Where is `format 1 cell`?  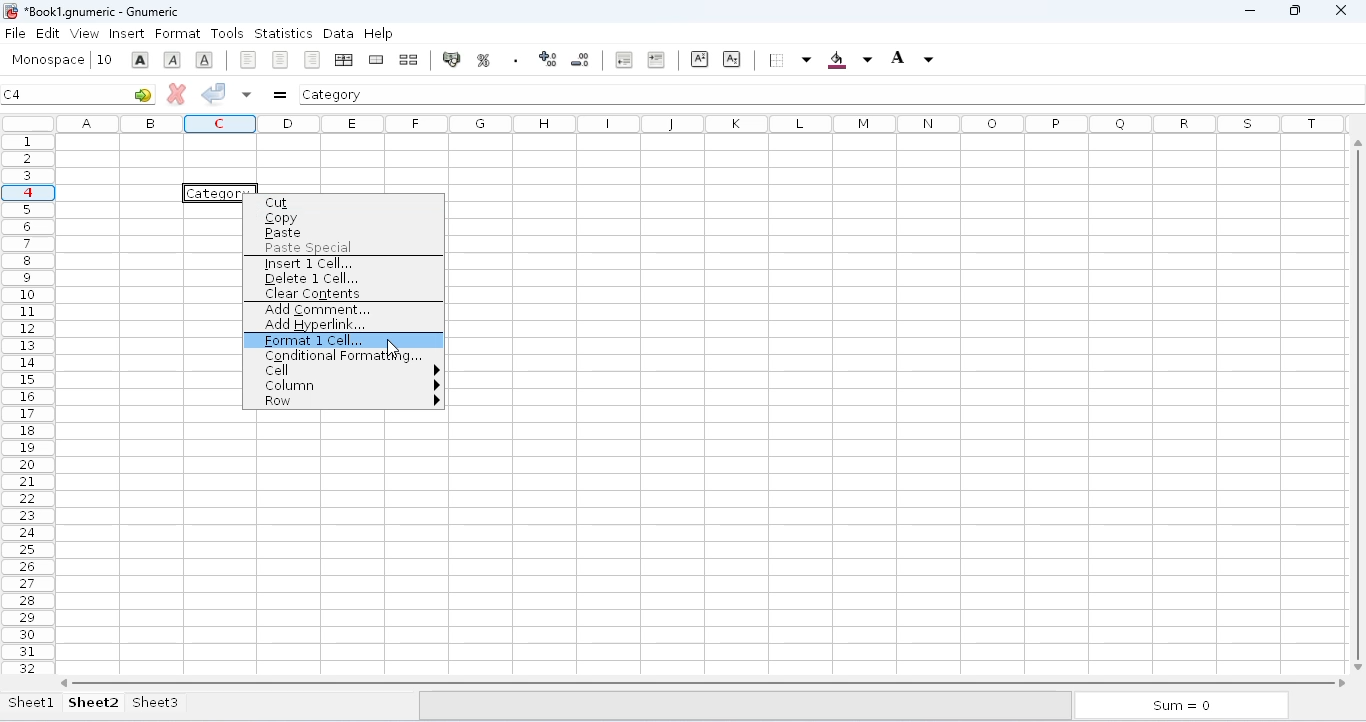
format 1 cell is located at coordinates (343, 341).